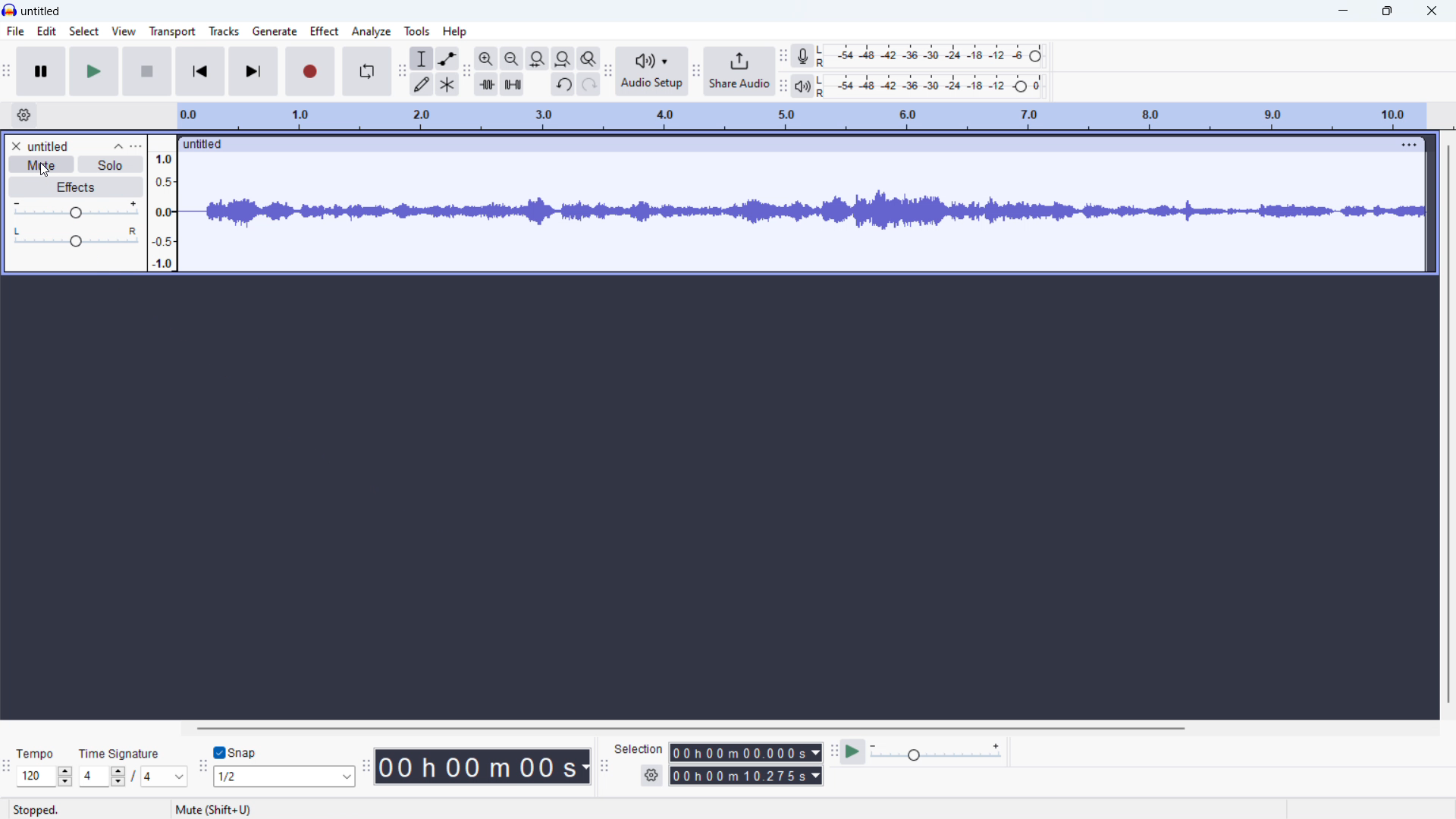 Image resolution: width=1456 pixels, height=819 pixels. Describe the element at coordinates (75, 187) in the screenshot. I see `effects` at that location.